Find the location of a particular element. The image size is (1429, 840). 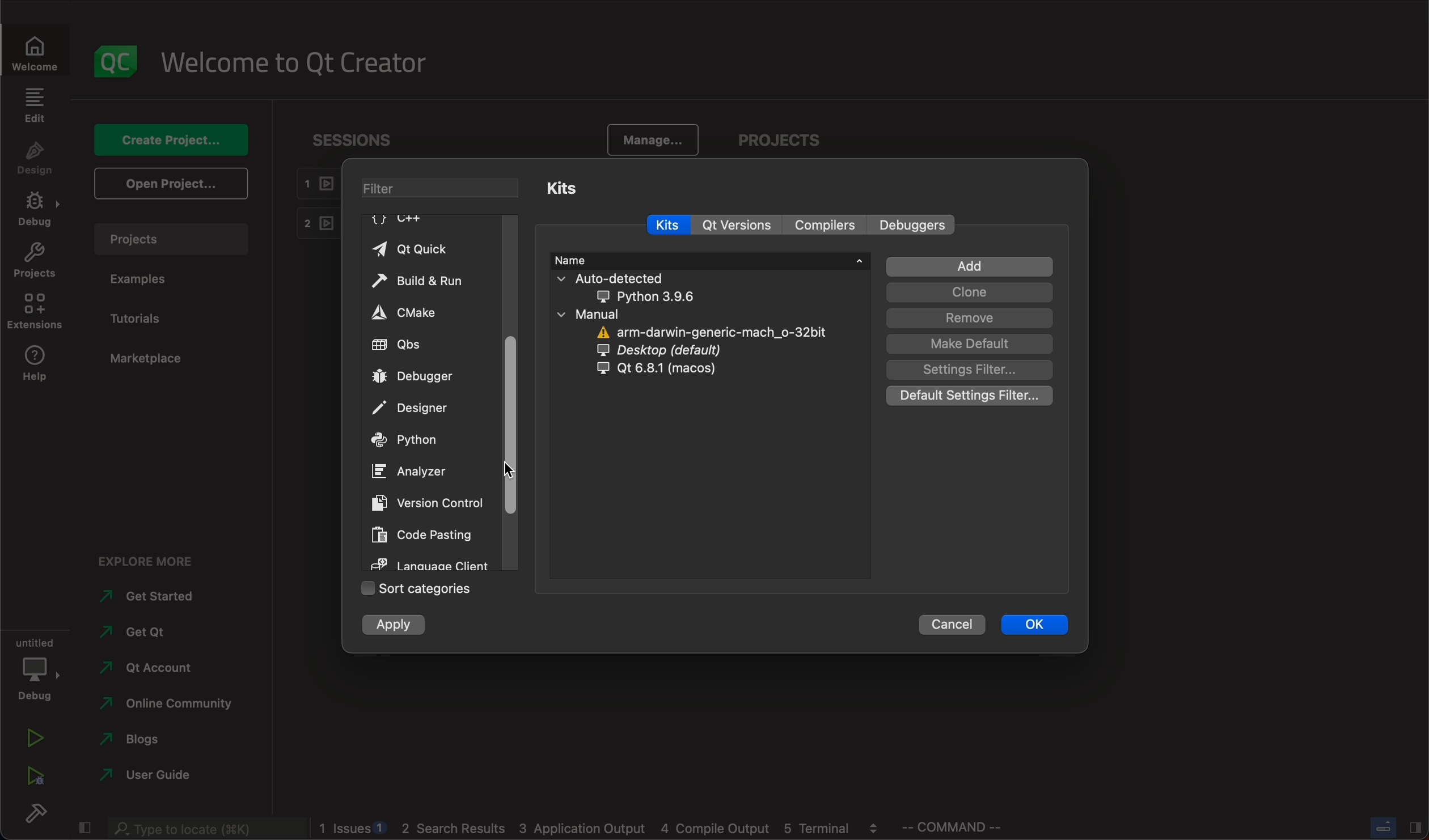

qbs is located at coordinates (423, 345).